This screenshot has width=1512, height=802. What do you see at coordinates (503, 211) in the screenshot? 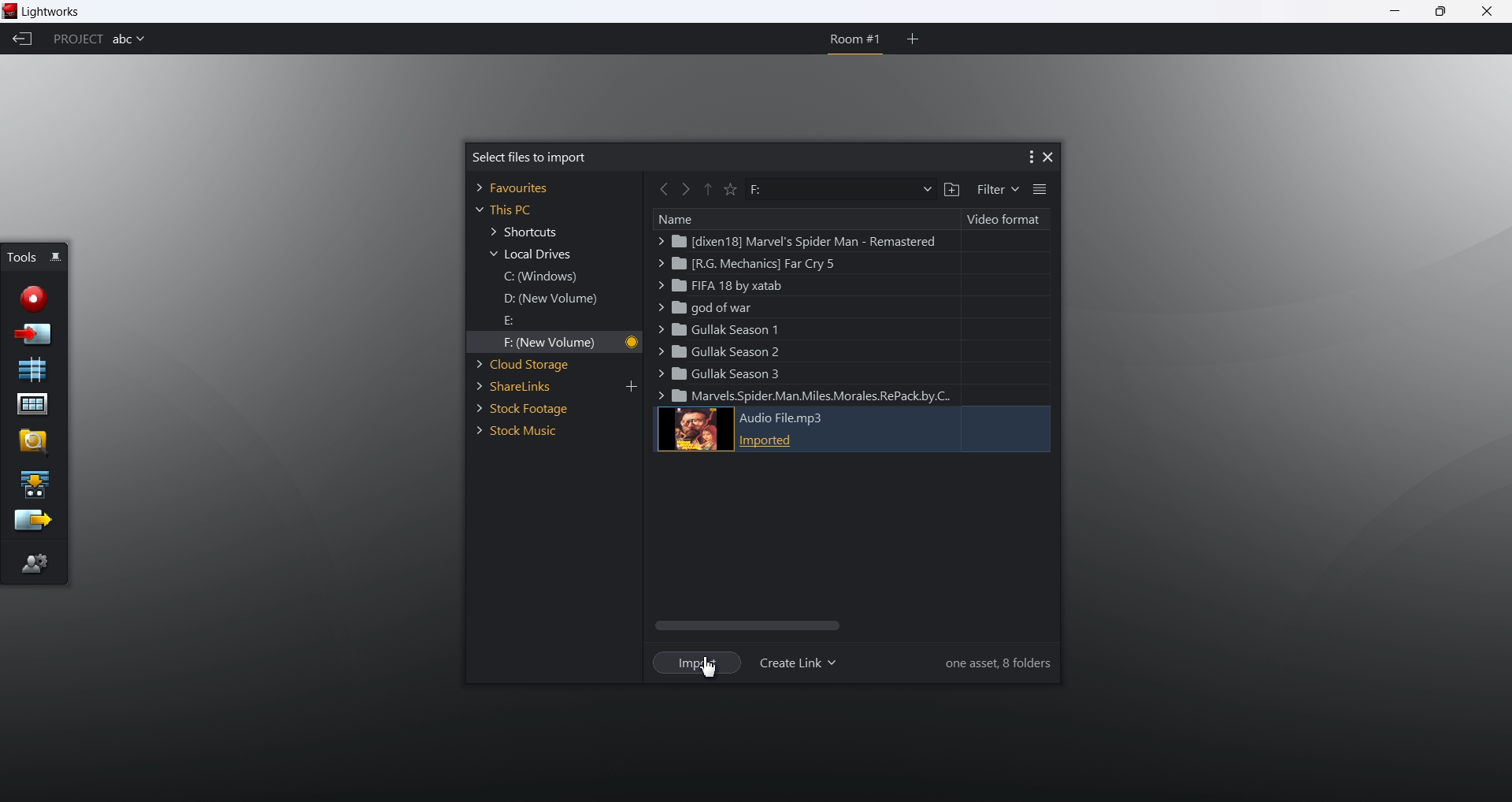
I see `this PC` at bounding box center [503, 211].